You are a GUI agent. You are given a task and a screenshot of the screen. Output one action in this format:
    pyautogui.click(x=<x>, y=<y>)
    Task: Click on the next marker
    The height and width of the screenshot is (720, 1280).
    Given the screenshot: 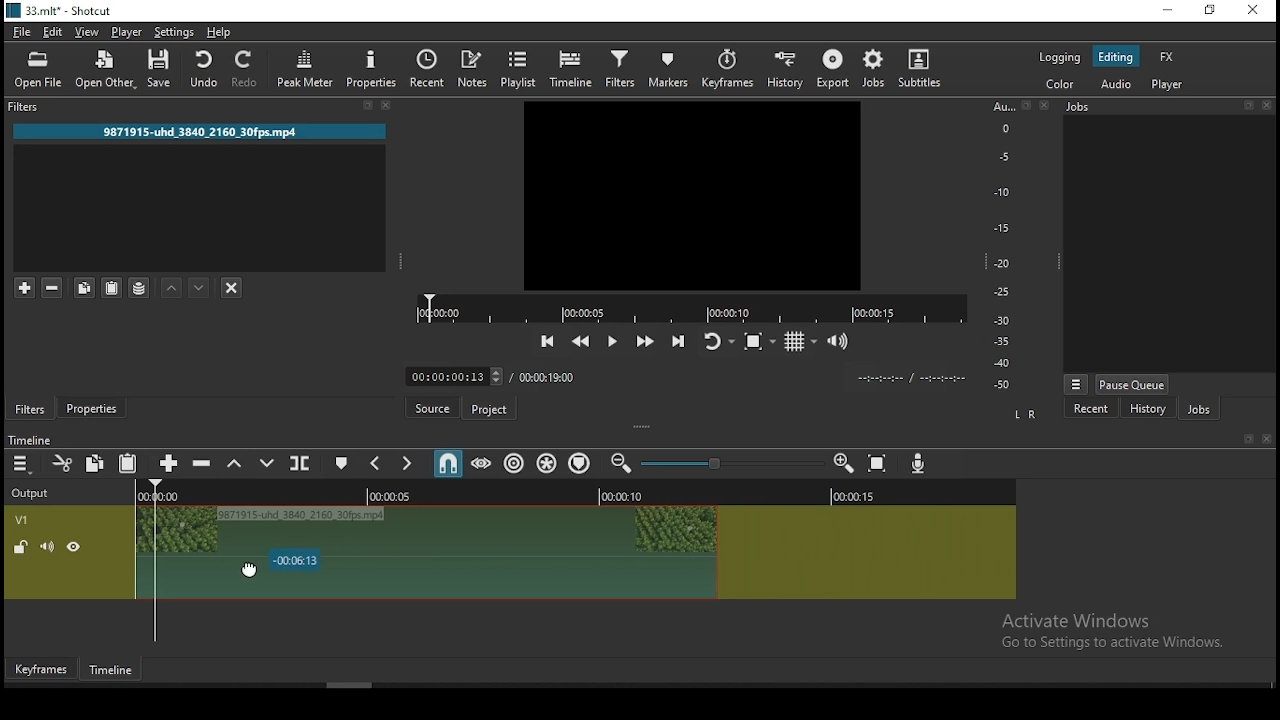 What is the action you would take?
    pyautogui.click(x=408, y=465)
    